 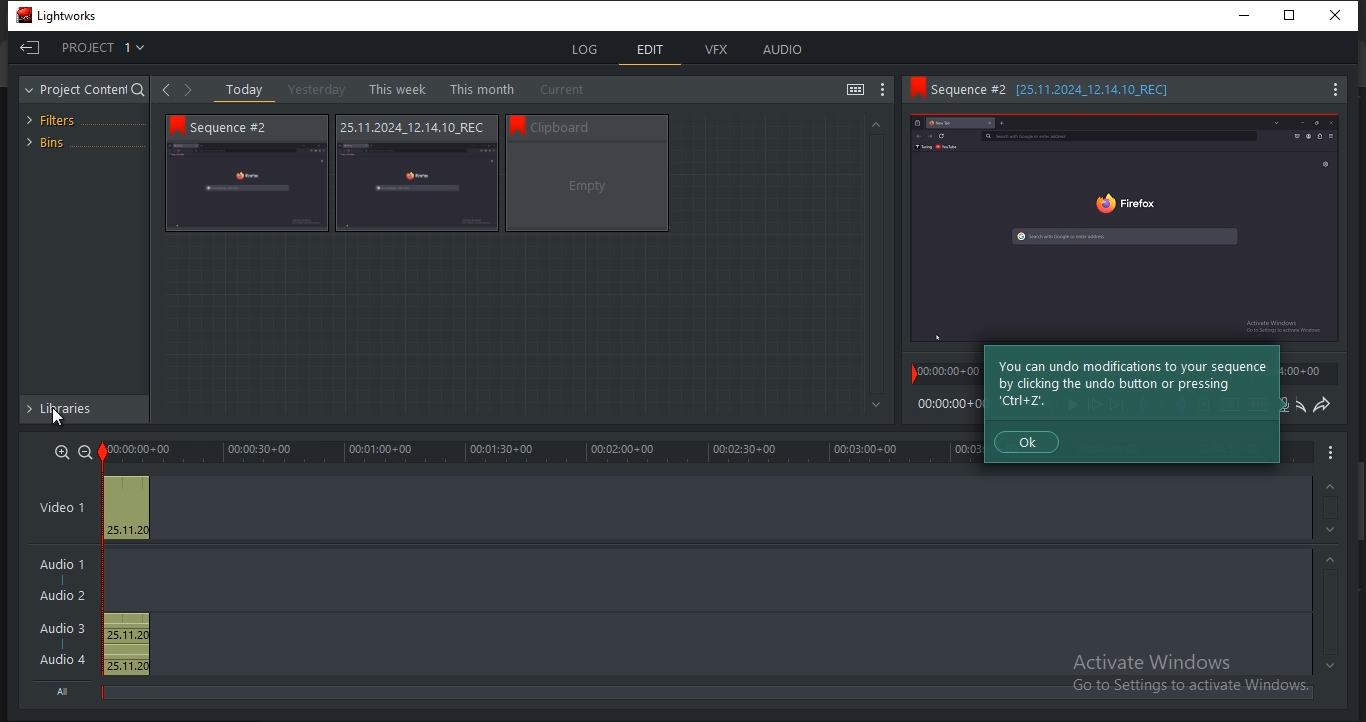 I want to click on Back, so click(x=166, y=90).